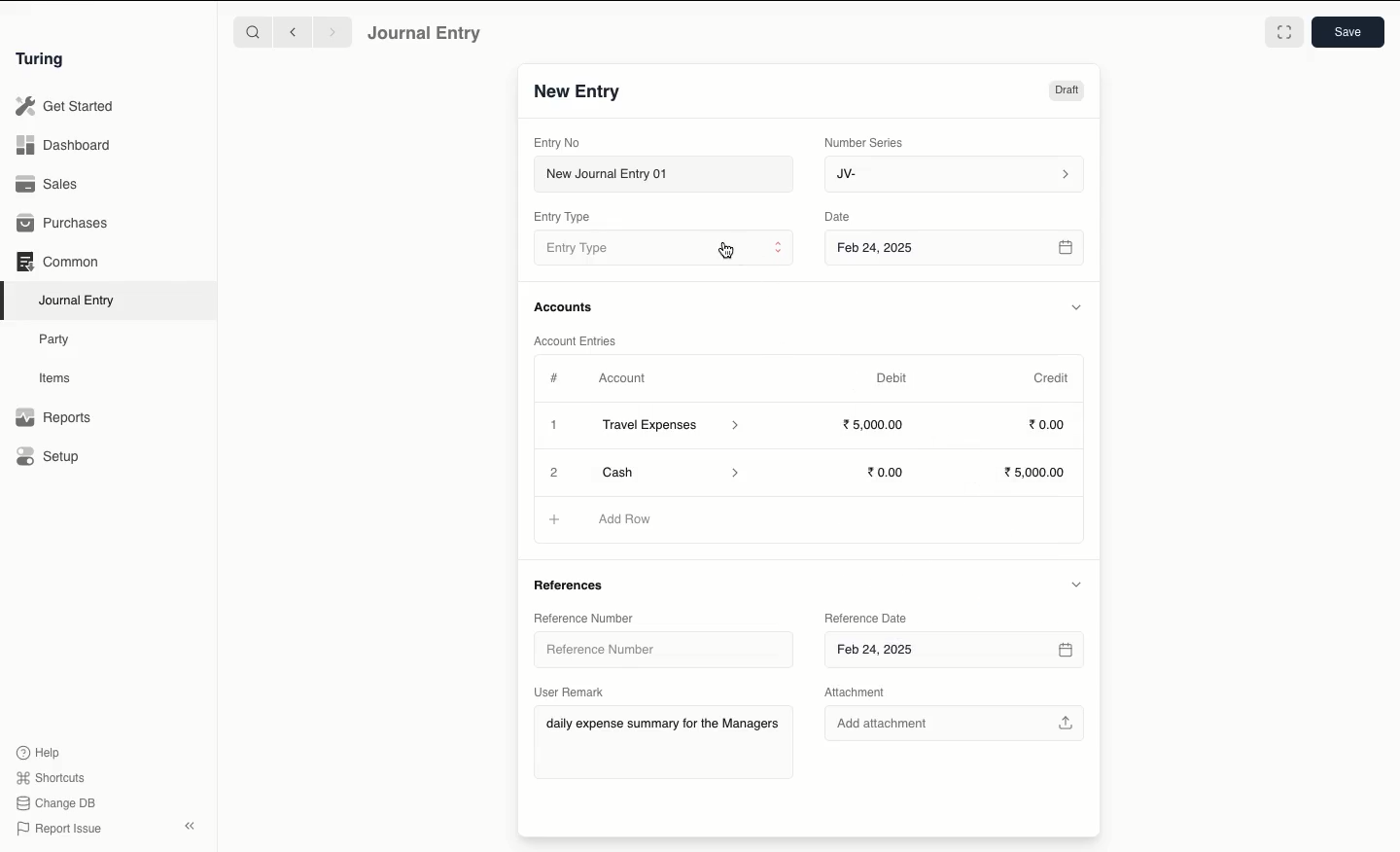 The width and height of the screenshot is (1400, 852). I want to click on Debit, so click(892, 378).